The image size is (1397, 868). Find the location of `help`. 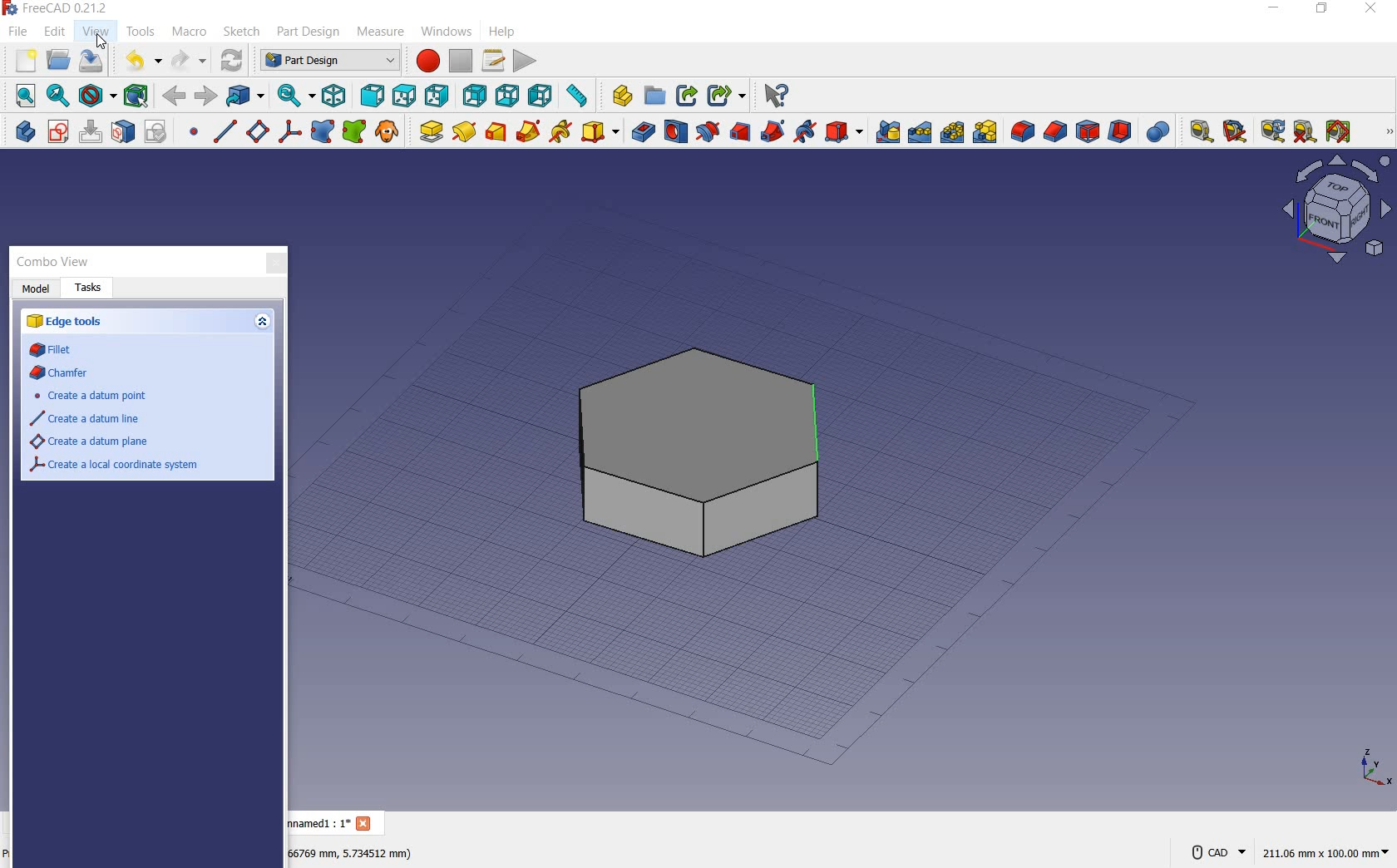

help is located at coordinates (511, 32).